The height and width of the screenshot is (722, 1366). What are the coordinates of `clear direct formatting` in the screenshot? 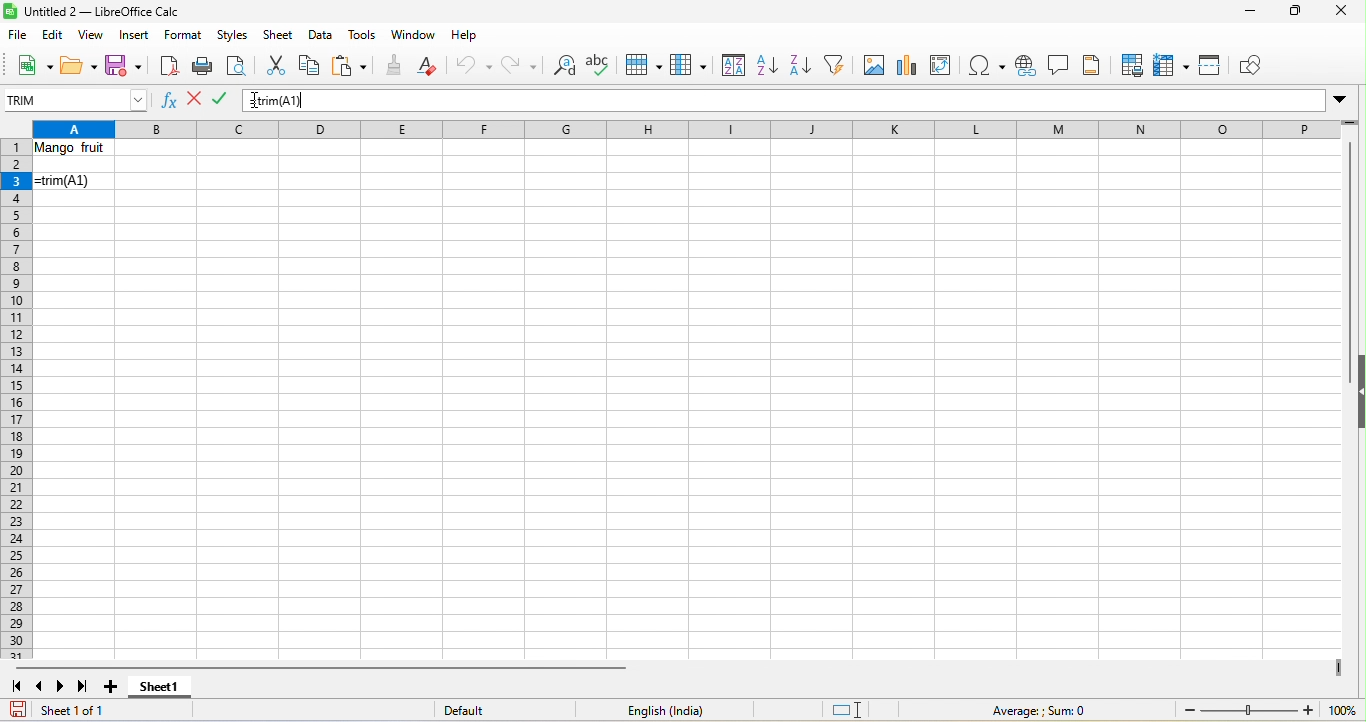 It's located at (432, 68).